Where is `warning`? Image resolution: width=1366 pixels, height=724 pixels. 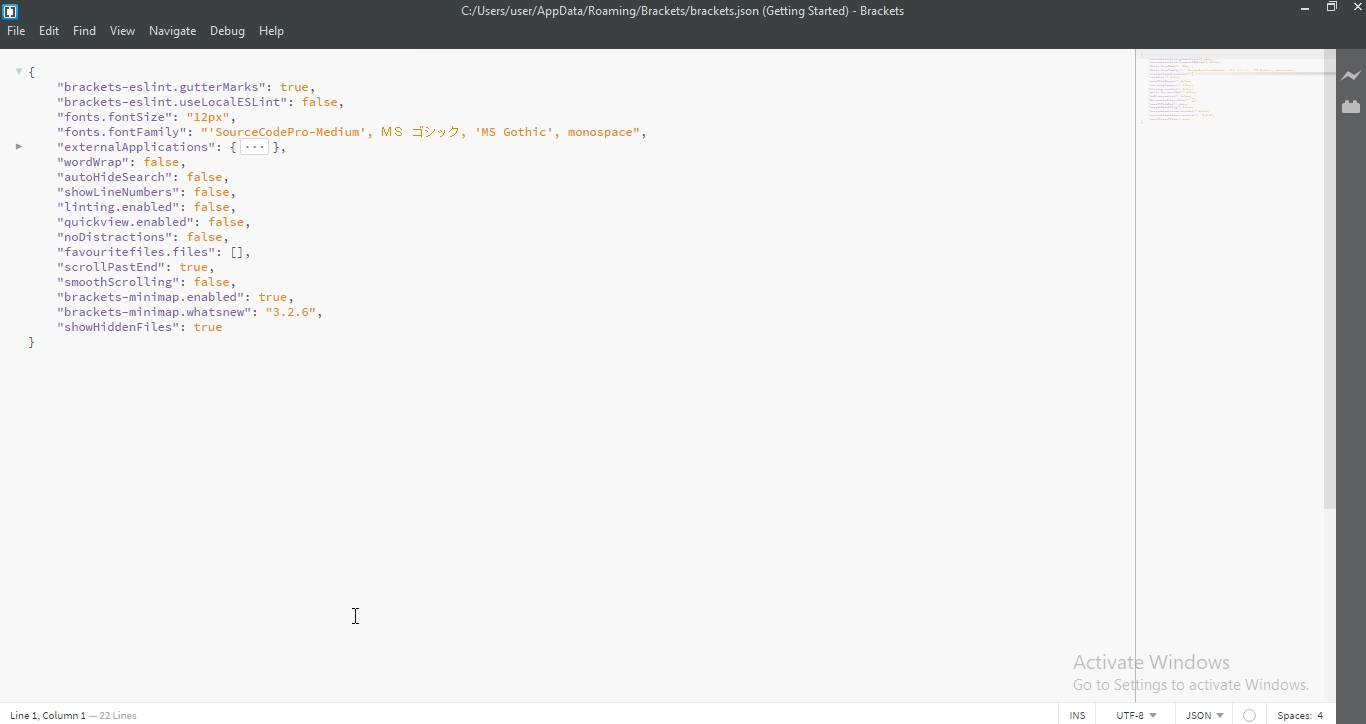
warning is located at coordinates (1250, 714).